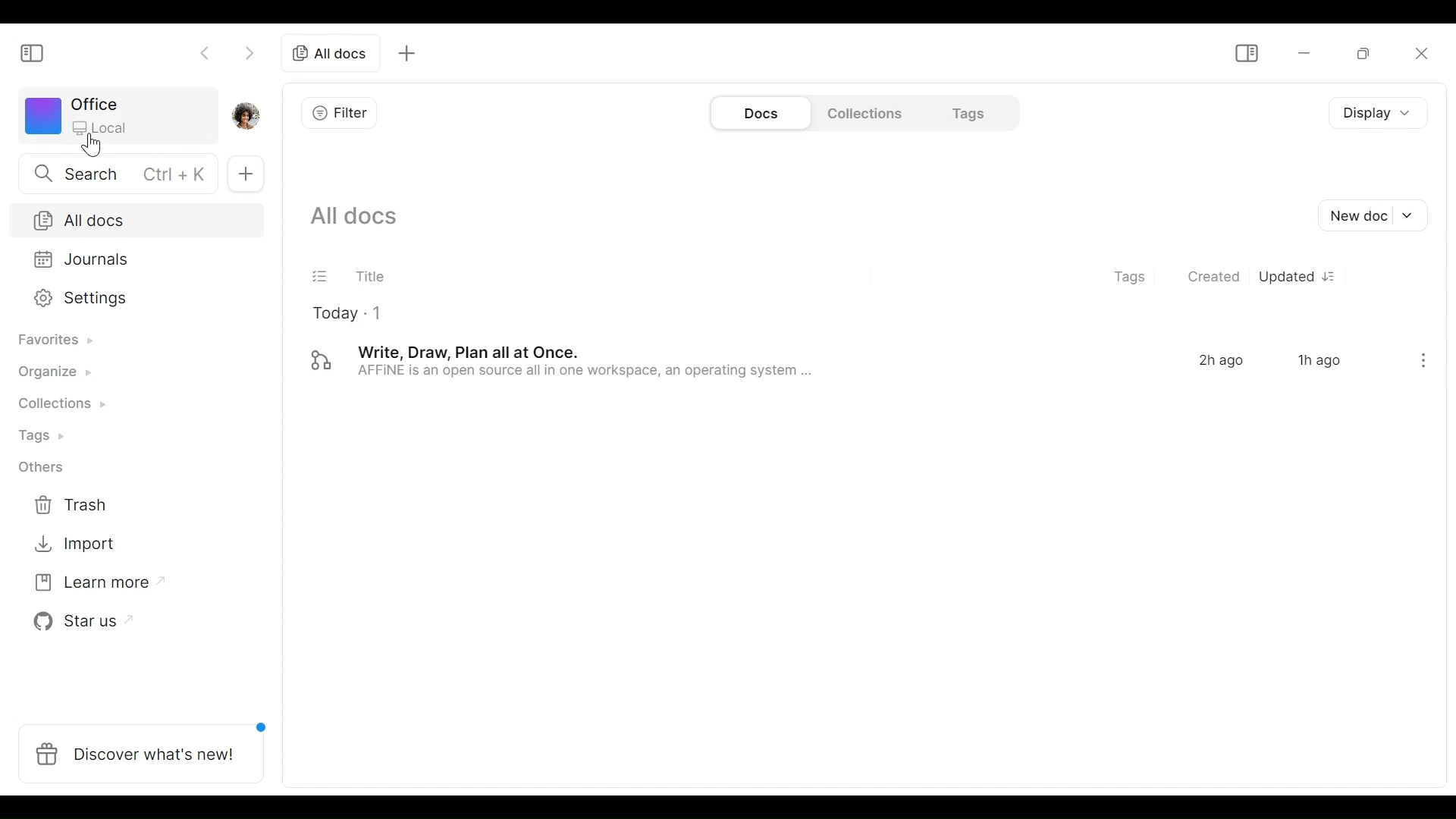  What do you see at coordinates (33, 50) in the screenshot?
I see `Show/Hide Sidebar` at bounding box center [33, 50].